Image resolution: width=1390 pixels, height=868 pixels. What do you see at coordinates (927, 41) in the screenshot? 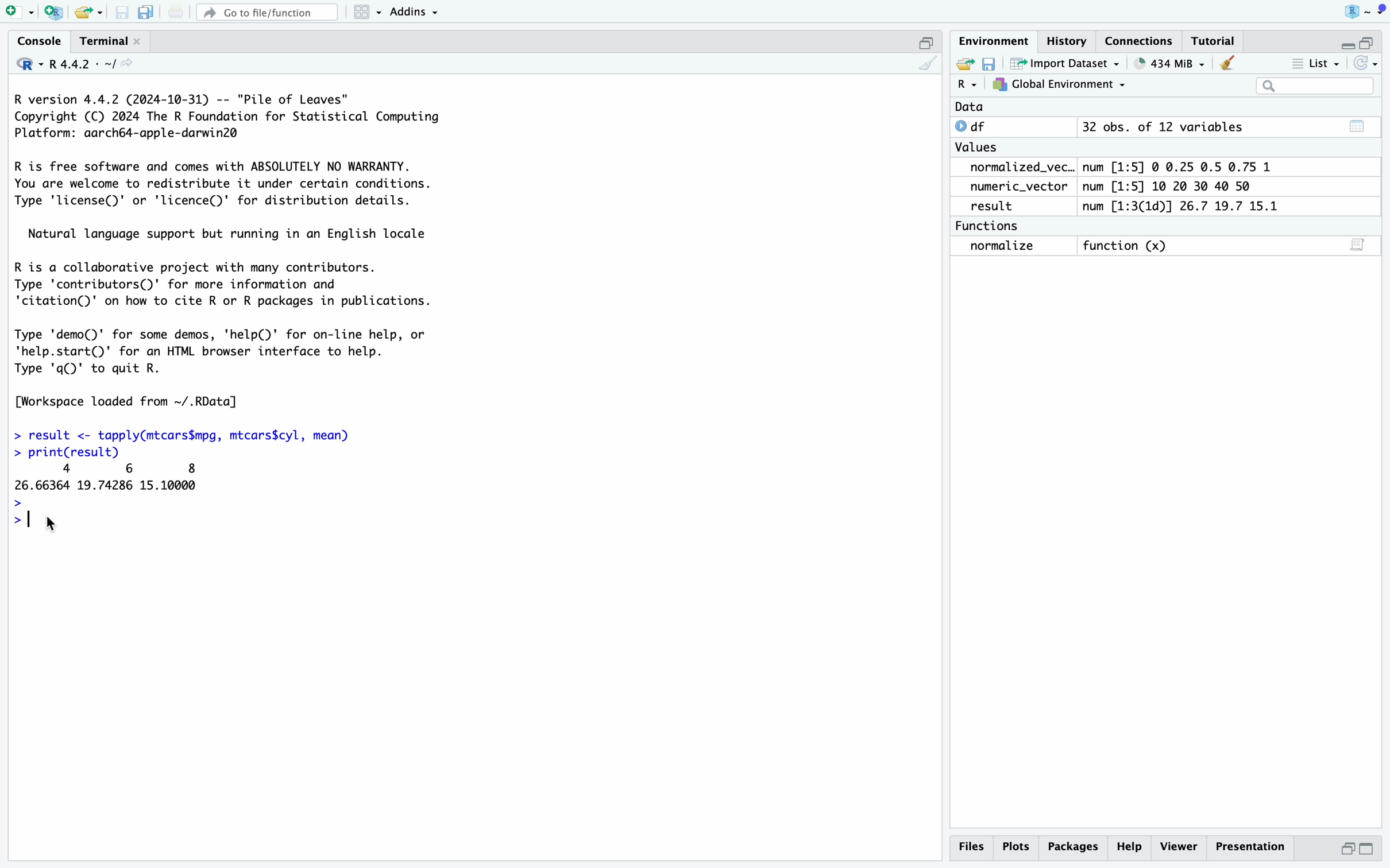
I see `Half hide` at bounding box center [927, 41].